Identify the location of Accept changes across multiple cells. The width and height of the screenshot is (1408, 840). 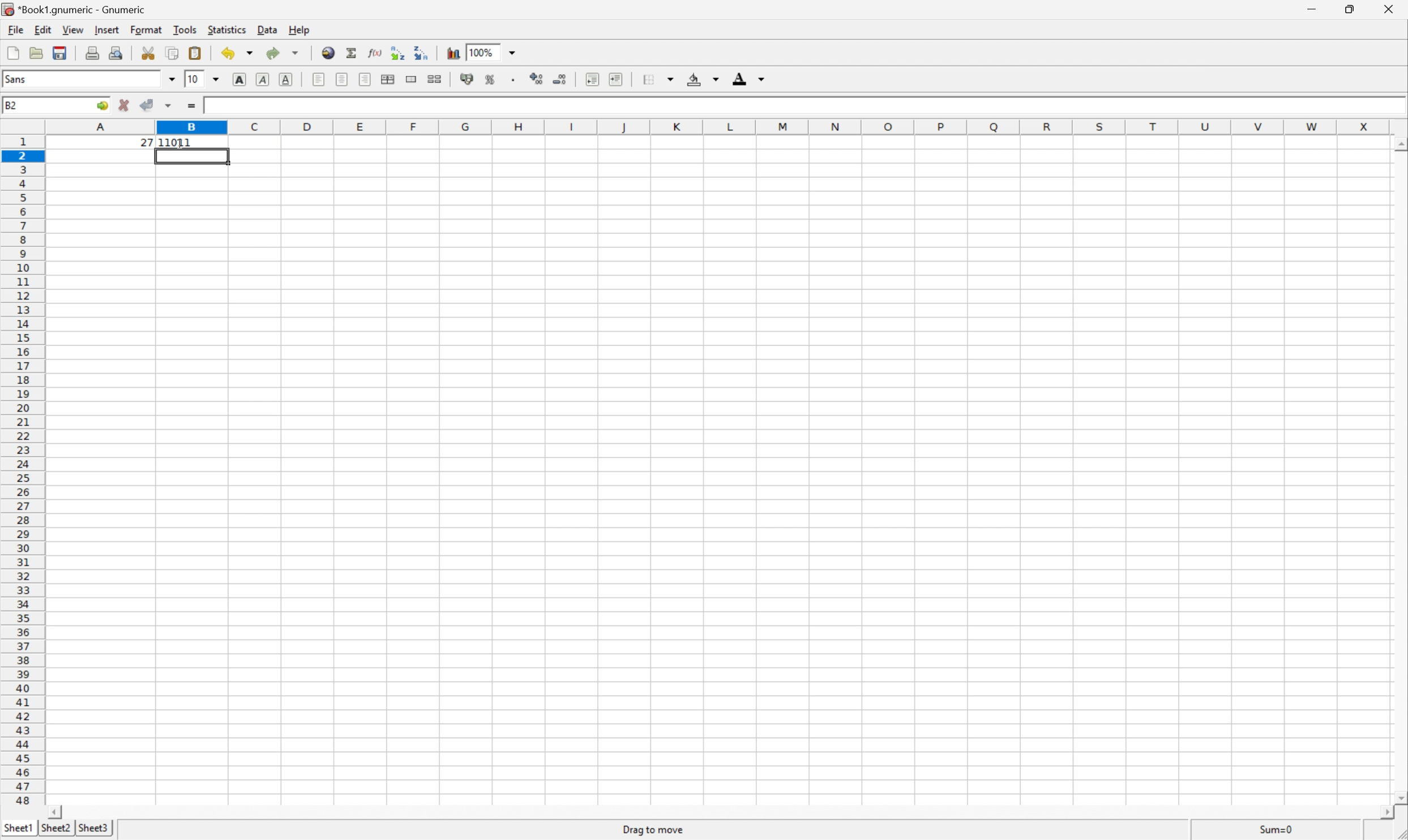
(169, 106).